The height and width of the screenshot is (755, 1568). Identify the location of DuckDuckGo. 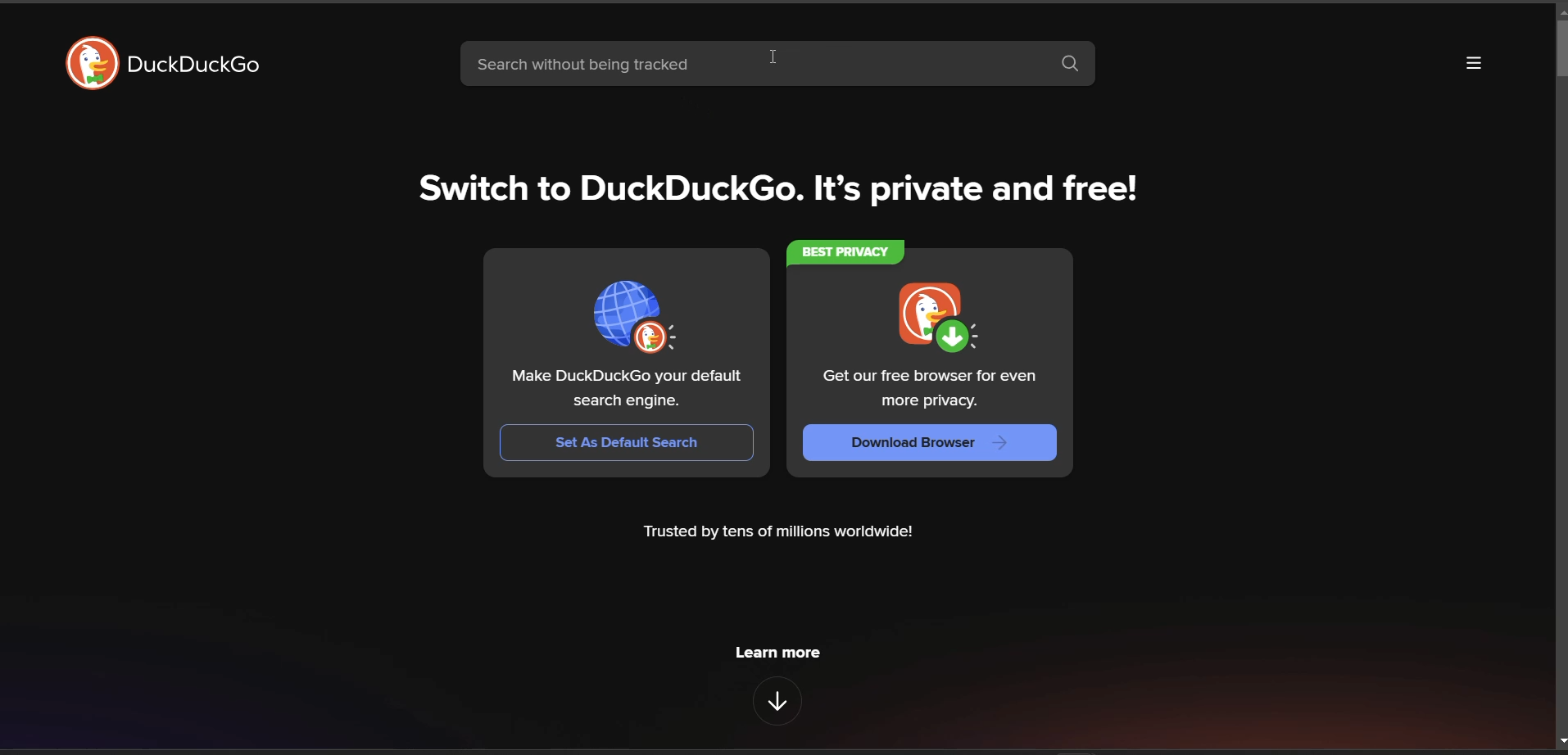
(196, 65).